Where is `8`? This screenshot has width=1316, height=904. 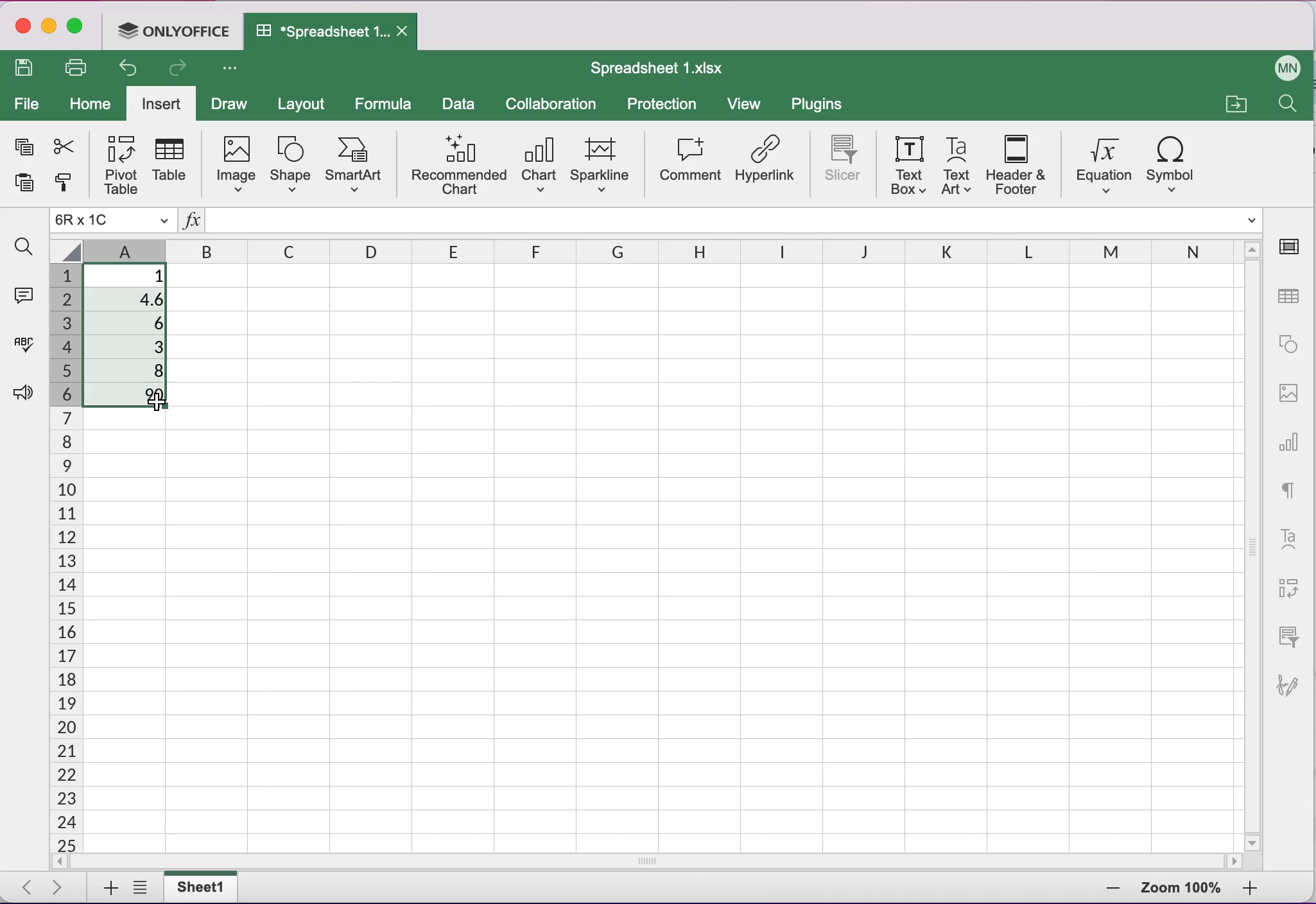 8 is located at coordinates (134, 369).